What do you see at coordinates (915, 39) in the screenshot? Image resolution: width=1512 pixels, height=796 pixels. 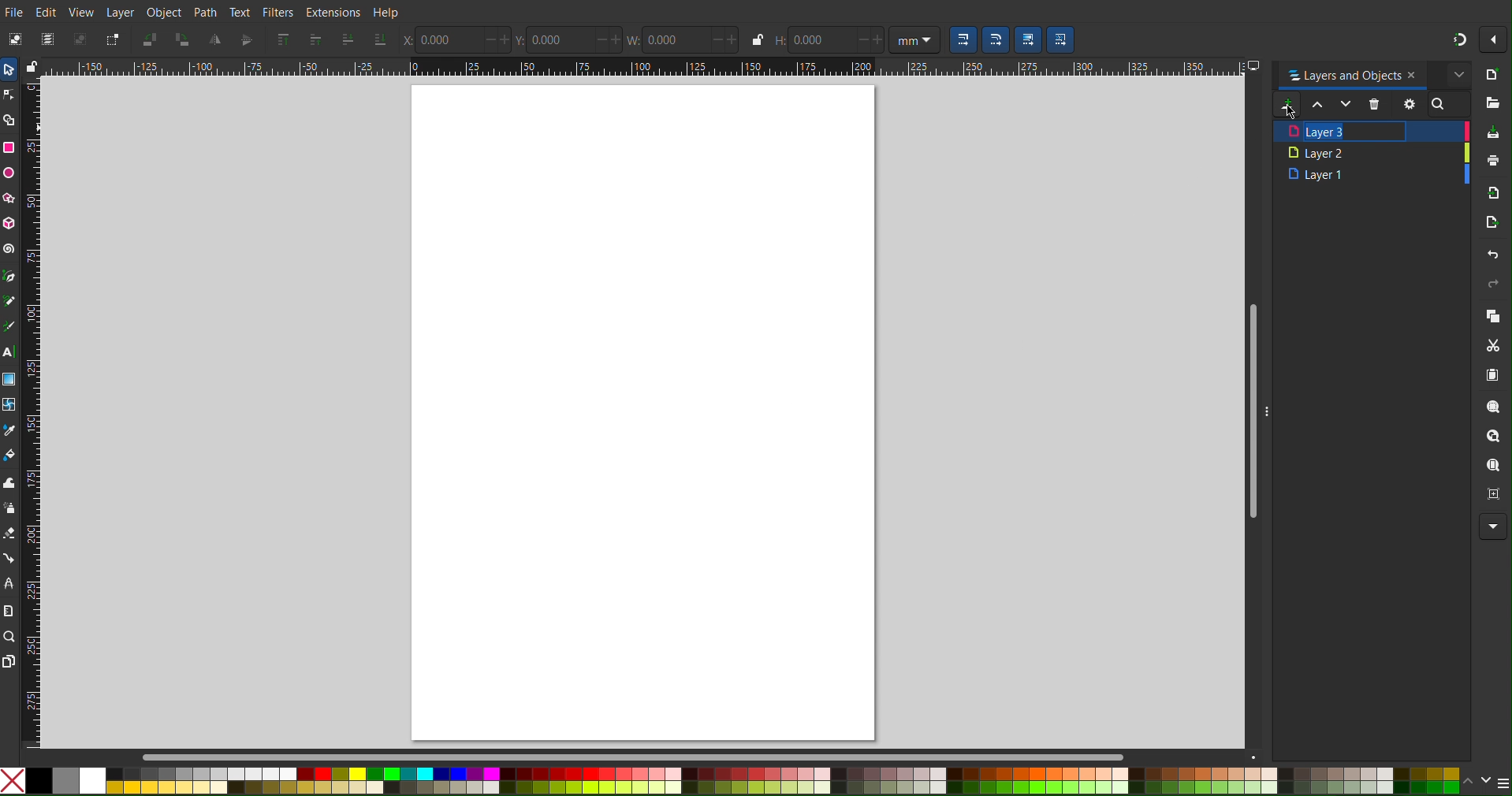 I see `Unit` at bounding box center [915, 39].